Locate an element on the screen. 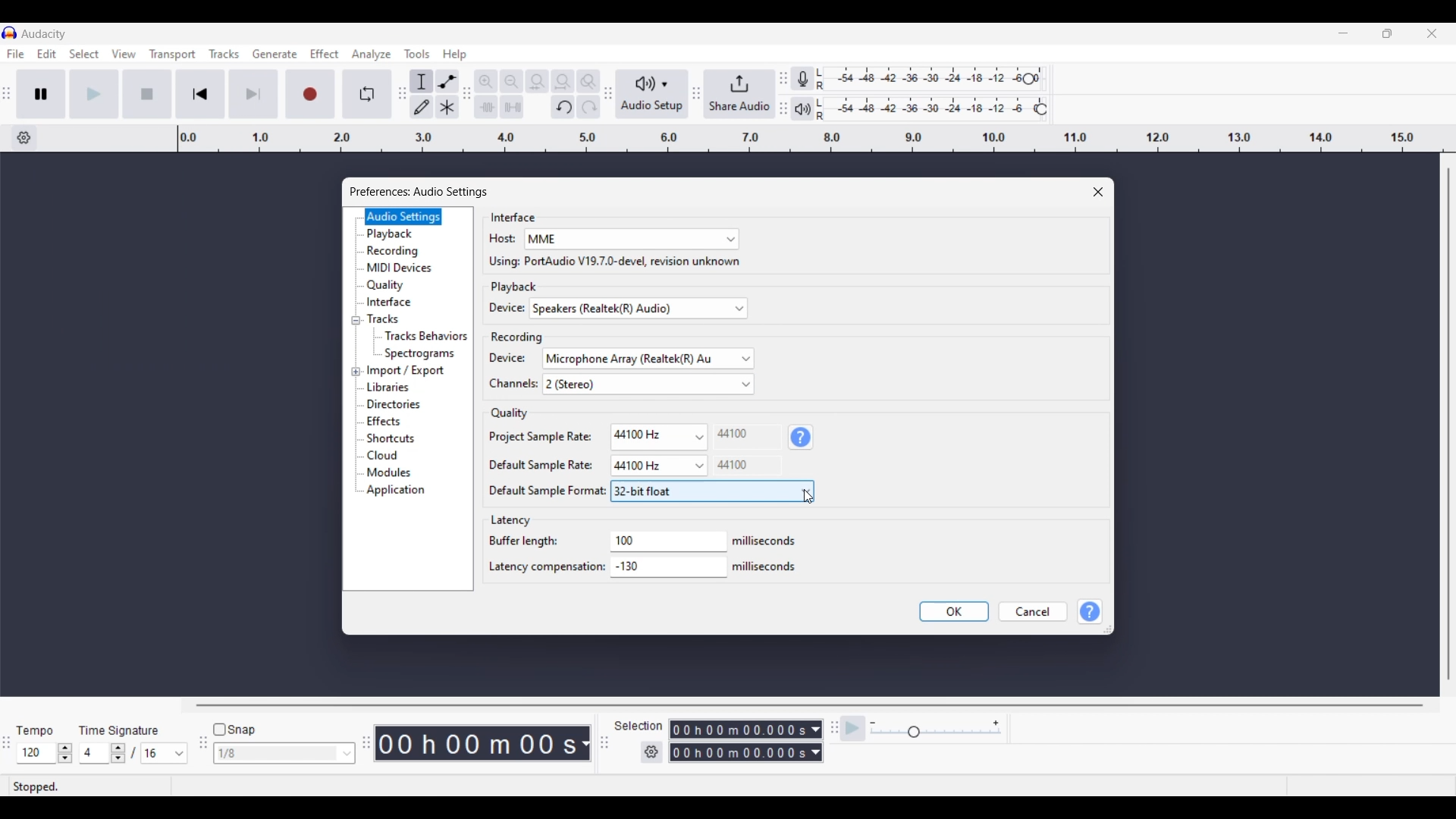  Interface is located at coordinates (404, 301).